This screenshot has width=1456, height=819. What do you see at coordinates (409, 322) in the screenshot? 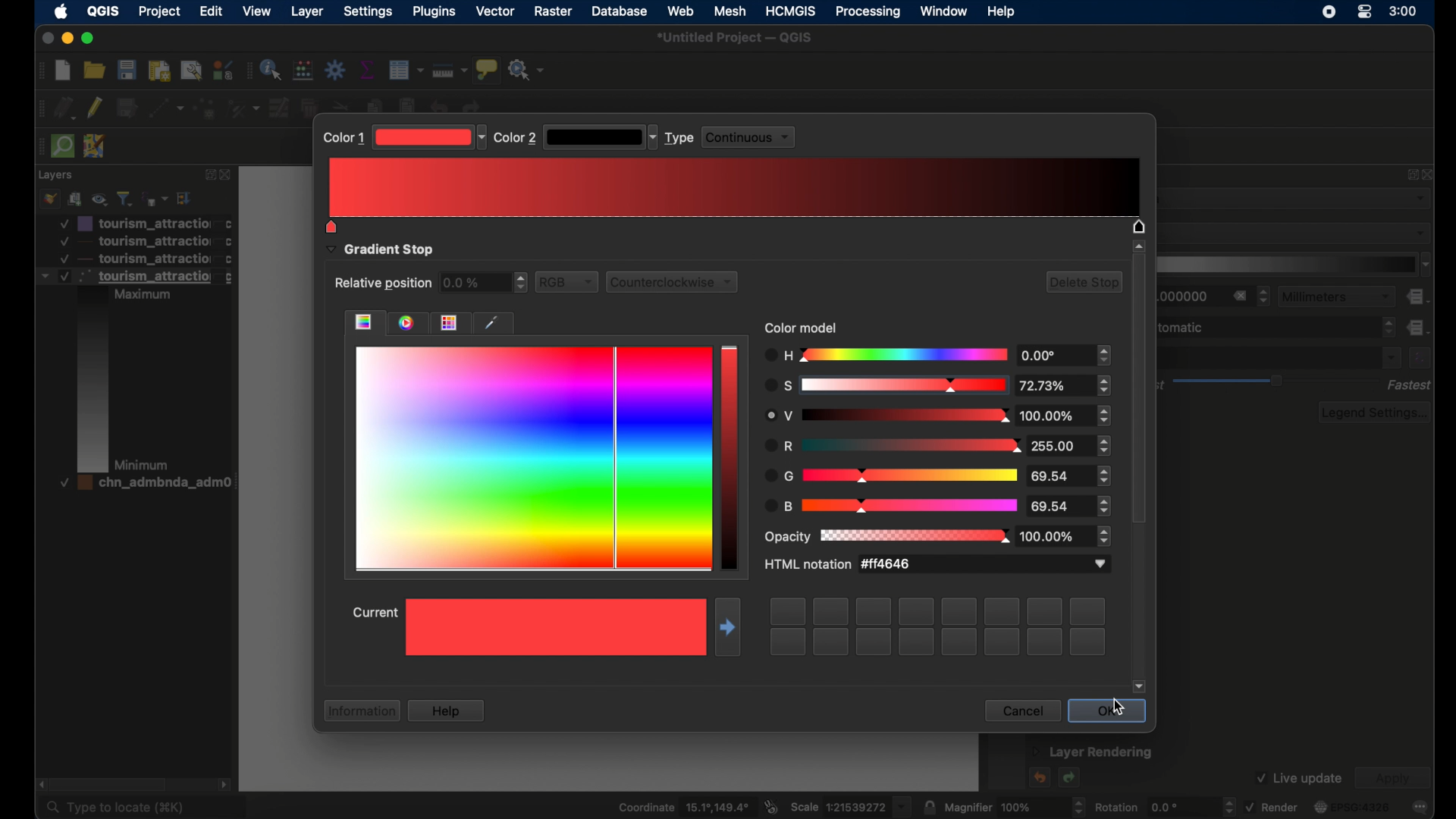
I see `color wheel` at bounding box center [409, 322].